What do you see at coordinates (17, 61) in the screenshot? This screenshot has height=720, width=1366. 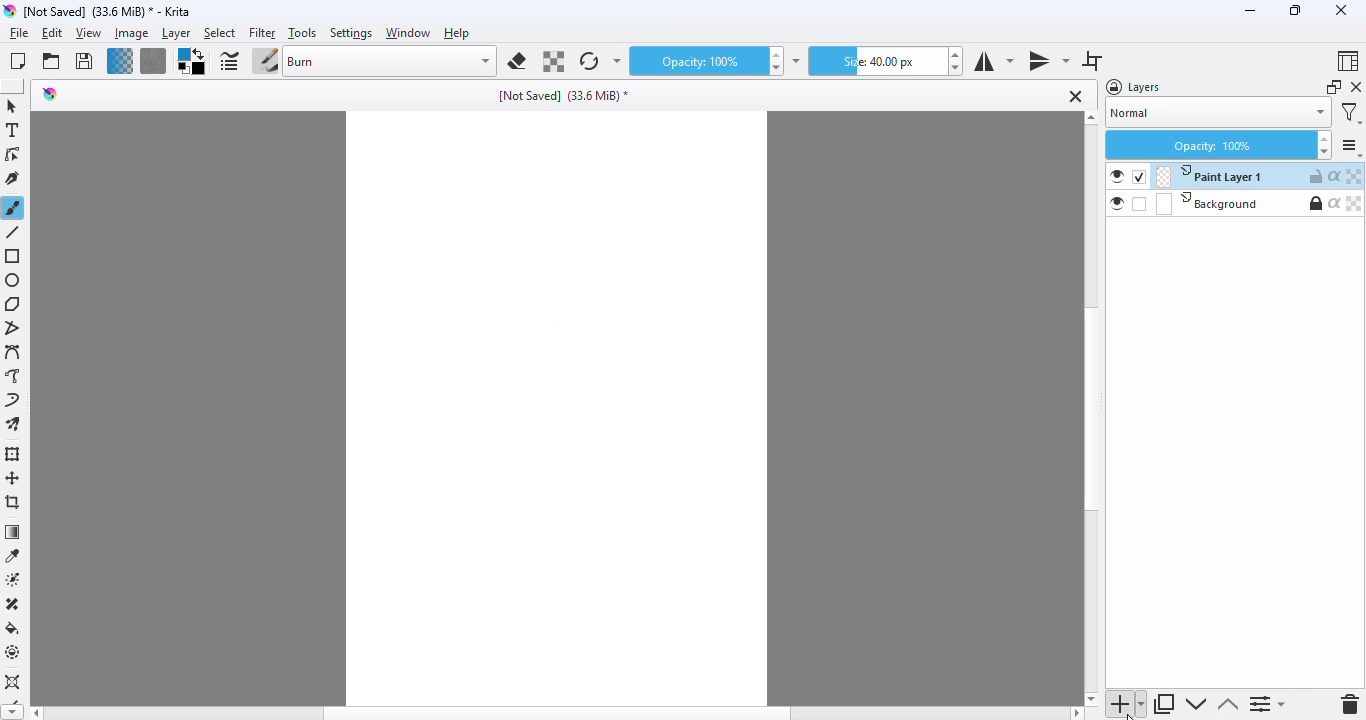 I see `create new document` at bounding box center [17, 61].